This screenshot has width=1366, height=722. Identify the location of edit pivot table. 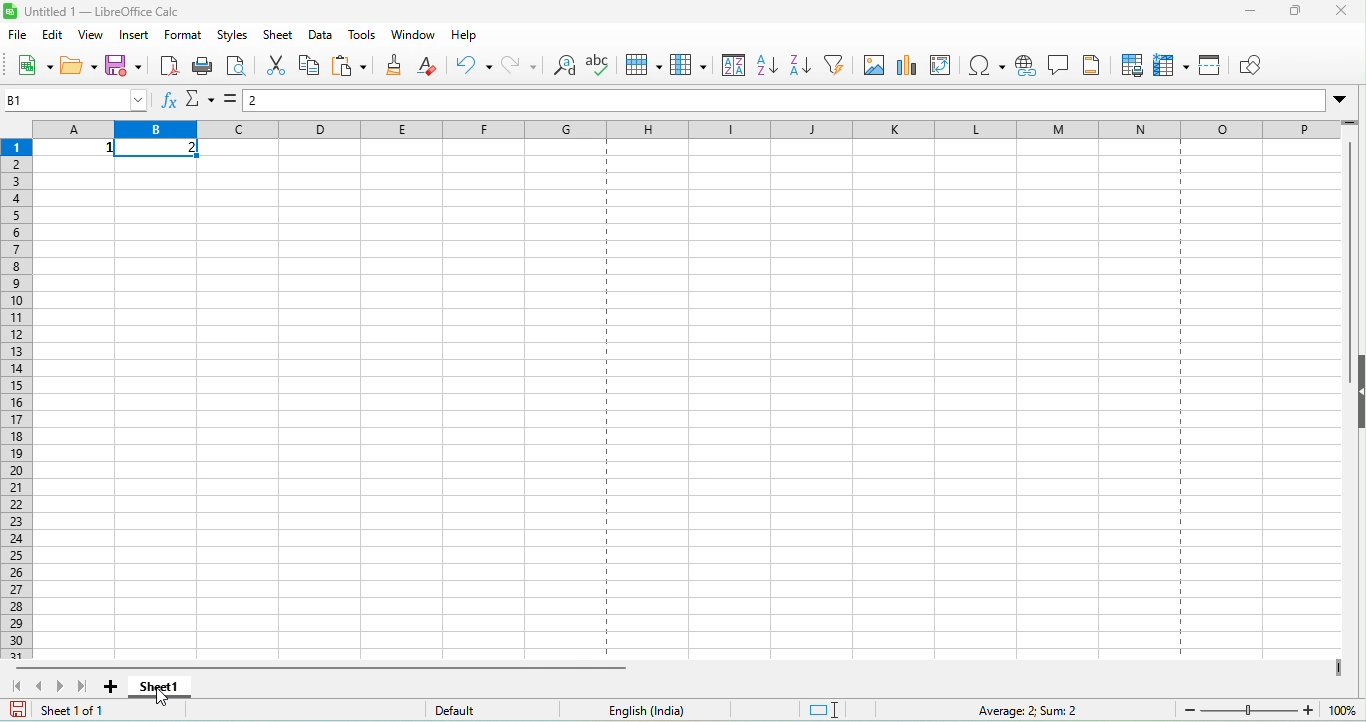
(945, 70).